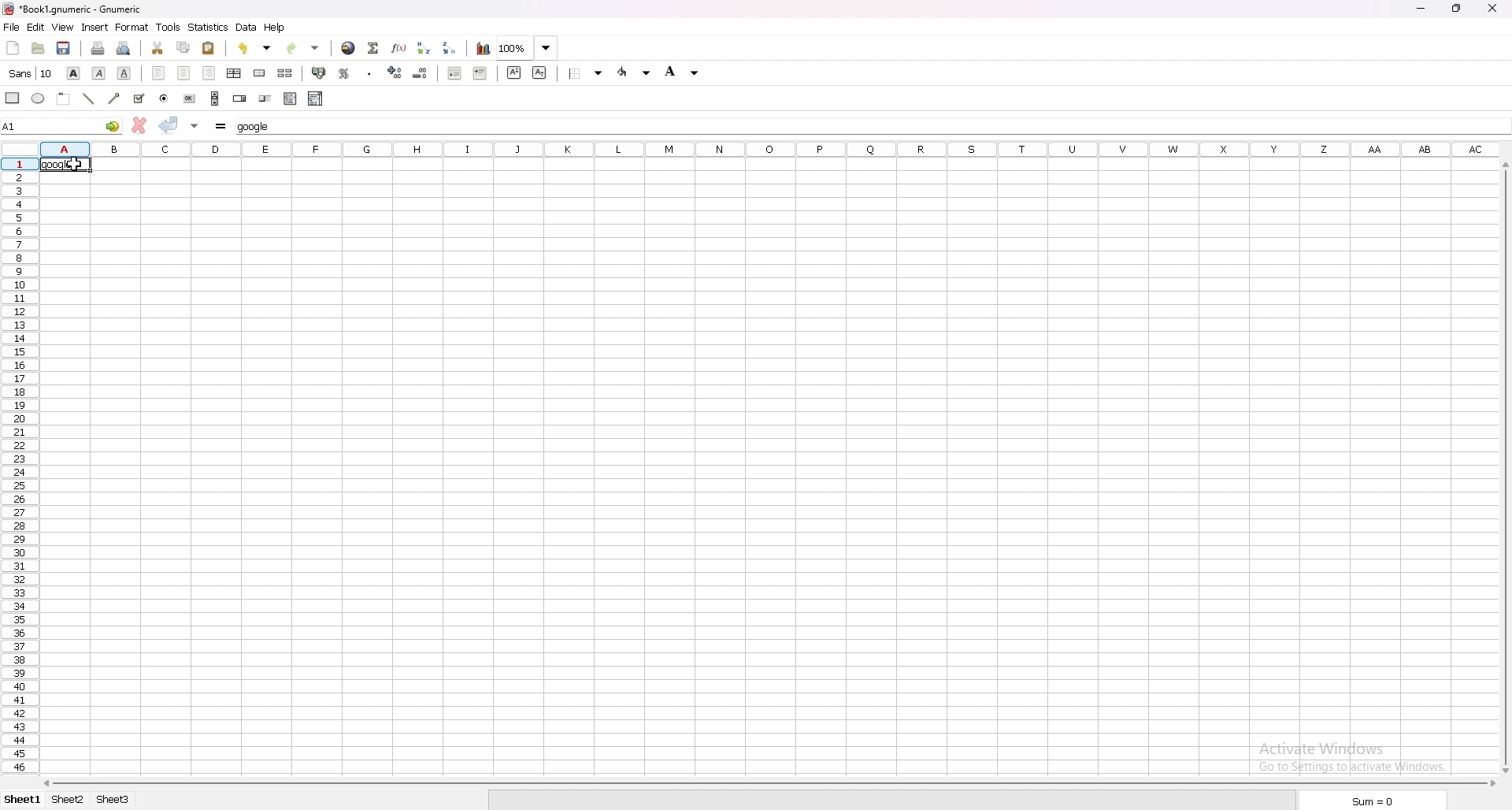 This screenshot has width=1512, height=810. Describe the element at coordinates (183, 47) in the screenshot. I see `copy` at that location.